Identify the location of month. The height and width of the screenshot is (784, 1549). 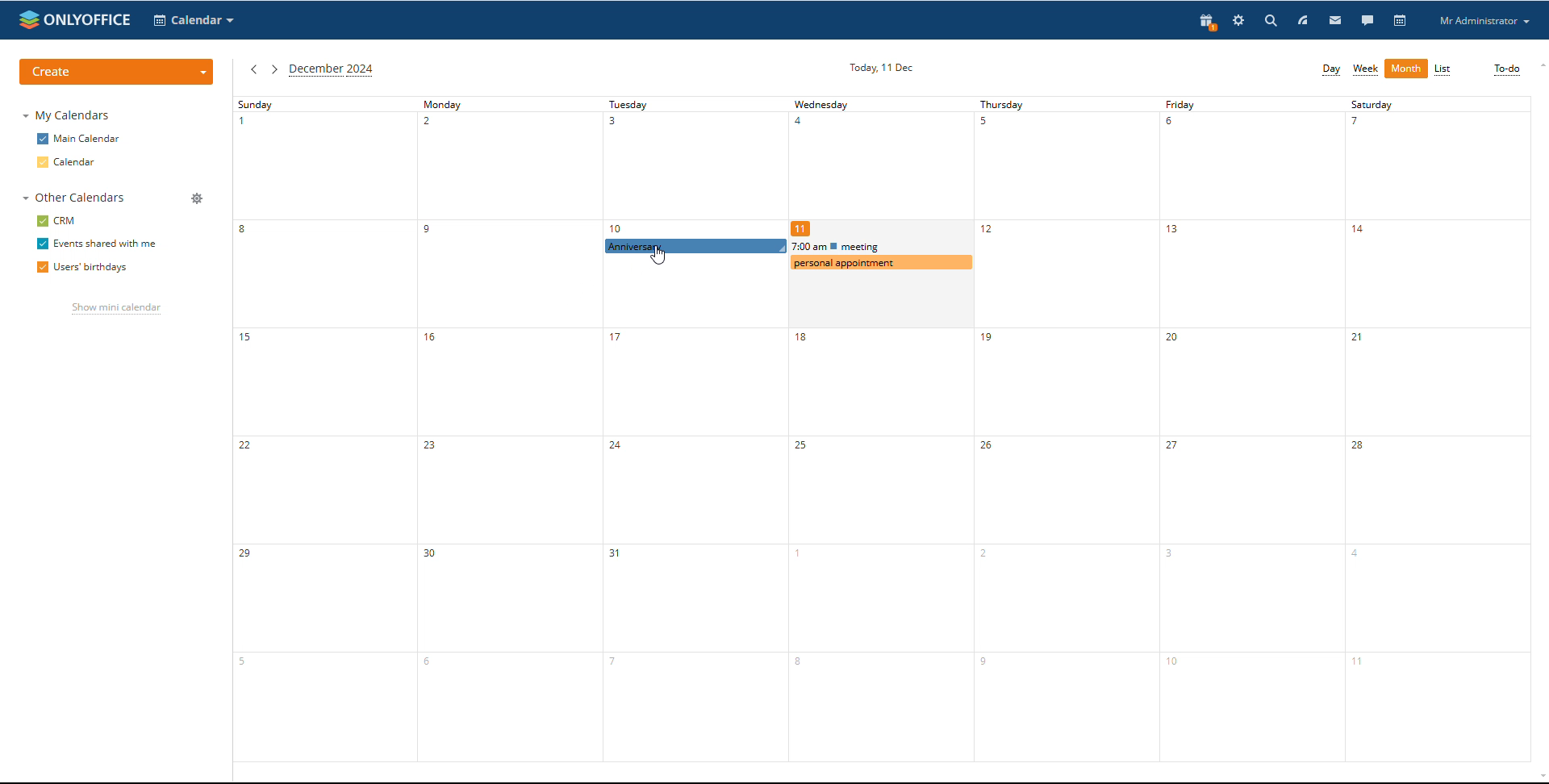
(1405, 69).